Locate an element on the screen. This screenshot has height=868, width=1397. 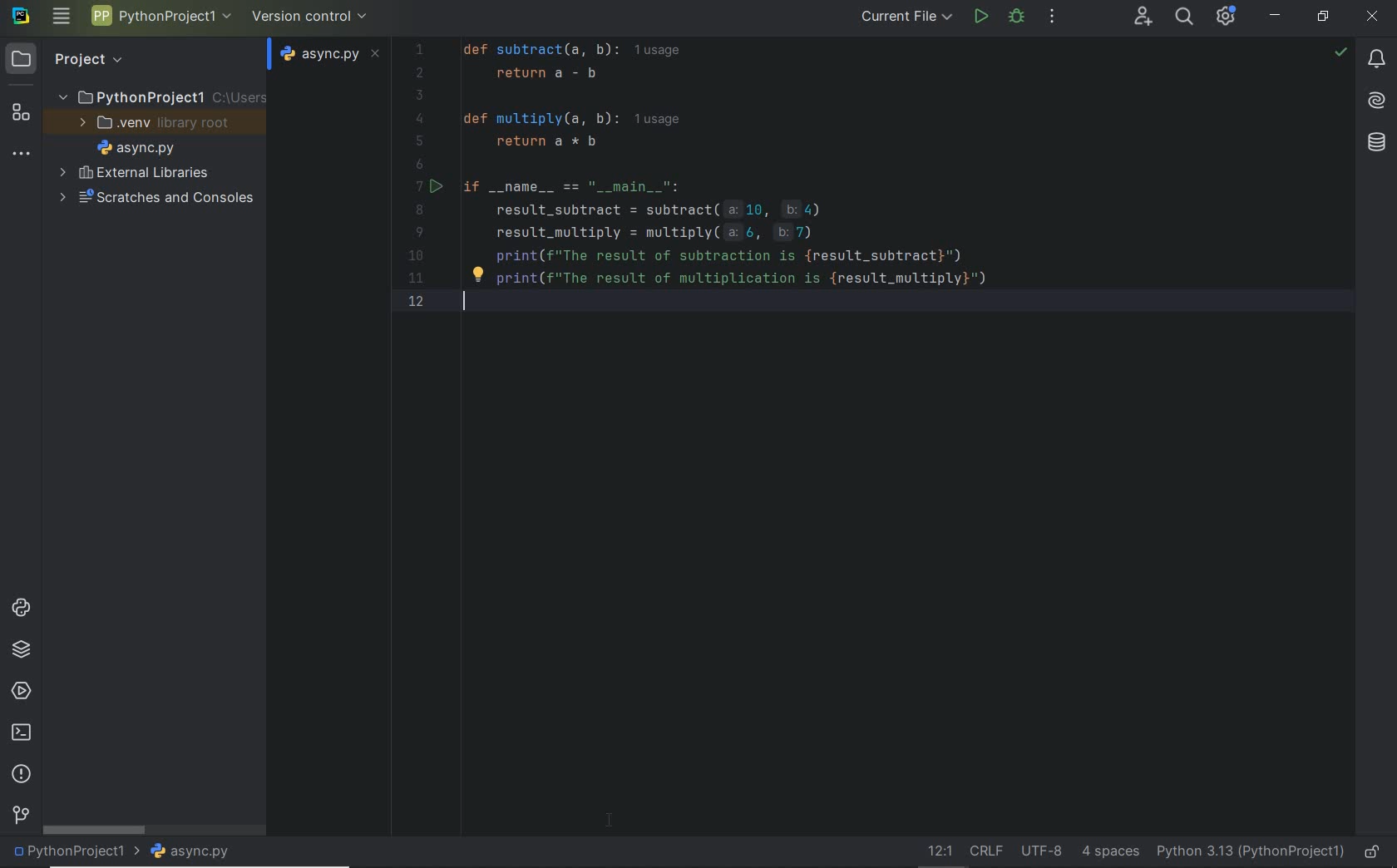
no problem is located at coordinates (1340, 52).